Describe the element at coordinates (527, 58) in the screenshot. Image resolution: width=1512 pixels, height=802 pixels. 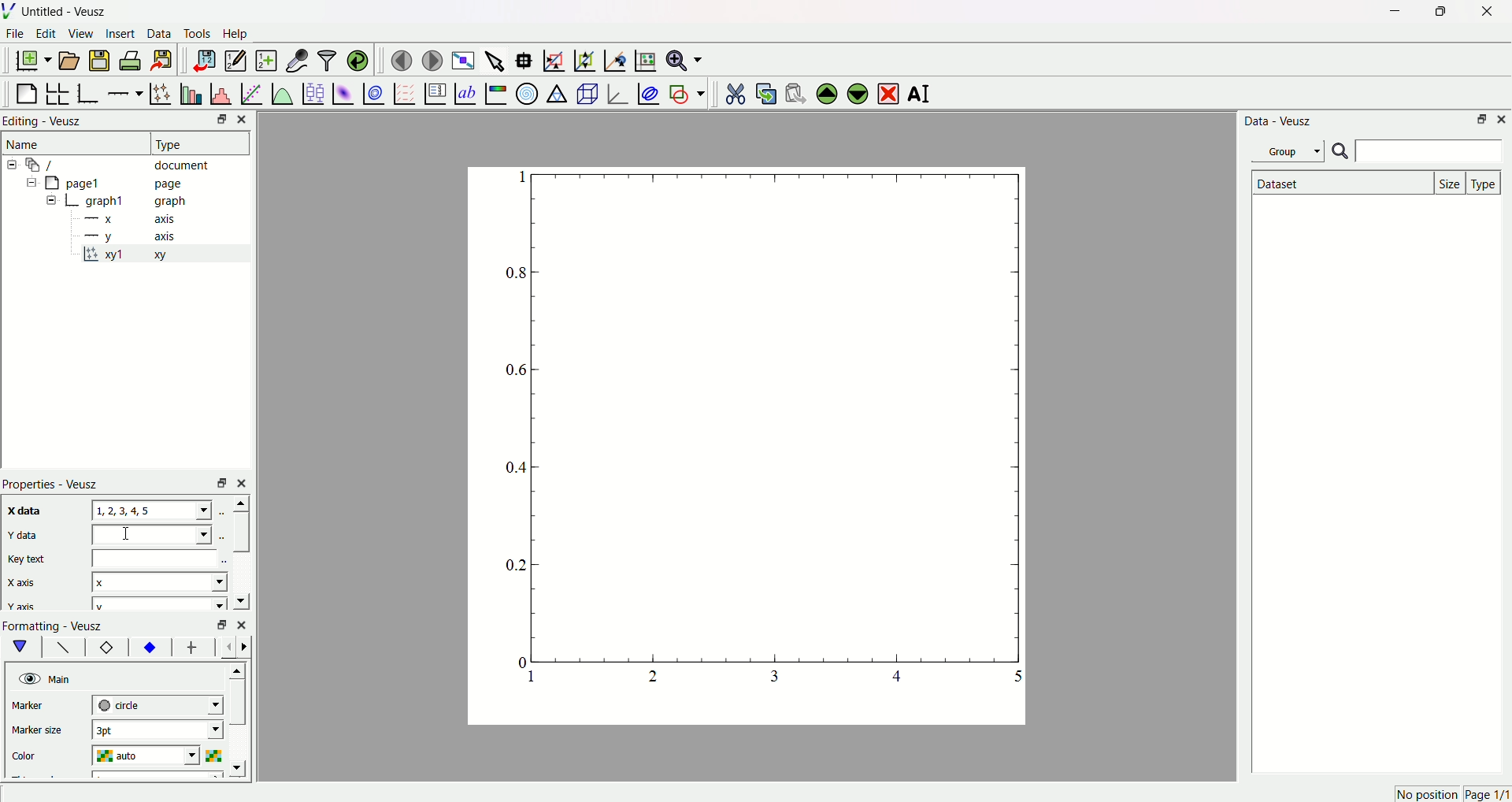
I see `read data points` at that location.